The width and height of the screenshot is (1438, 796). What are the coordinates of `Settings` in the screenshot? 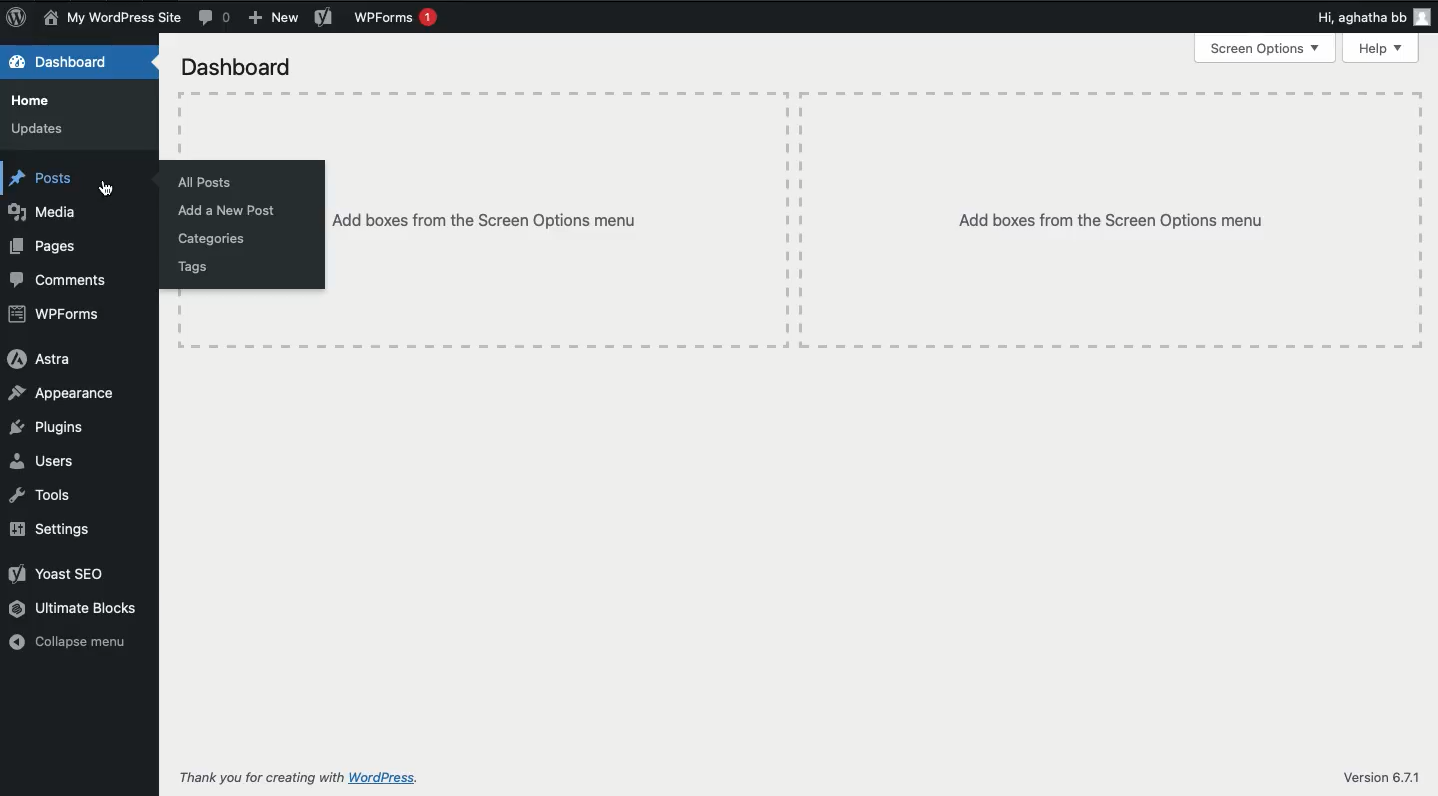 It's located at (57, 529).